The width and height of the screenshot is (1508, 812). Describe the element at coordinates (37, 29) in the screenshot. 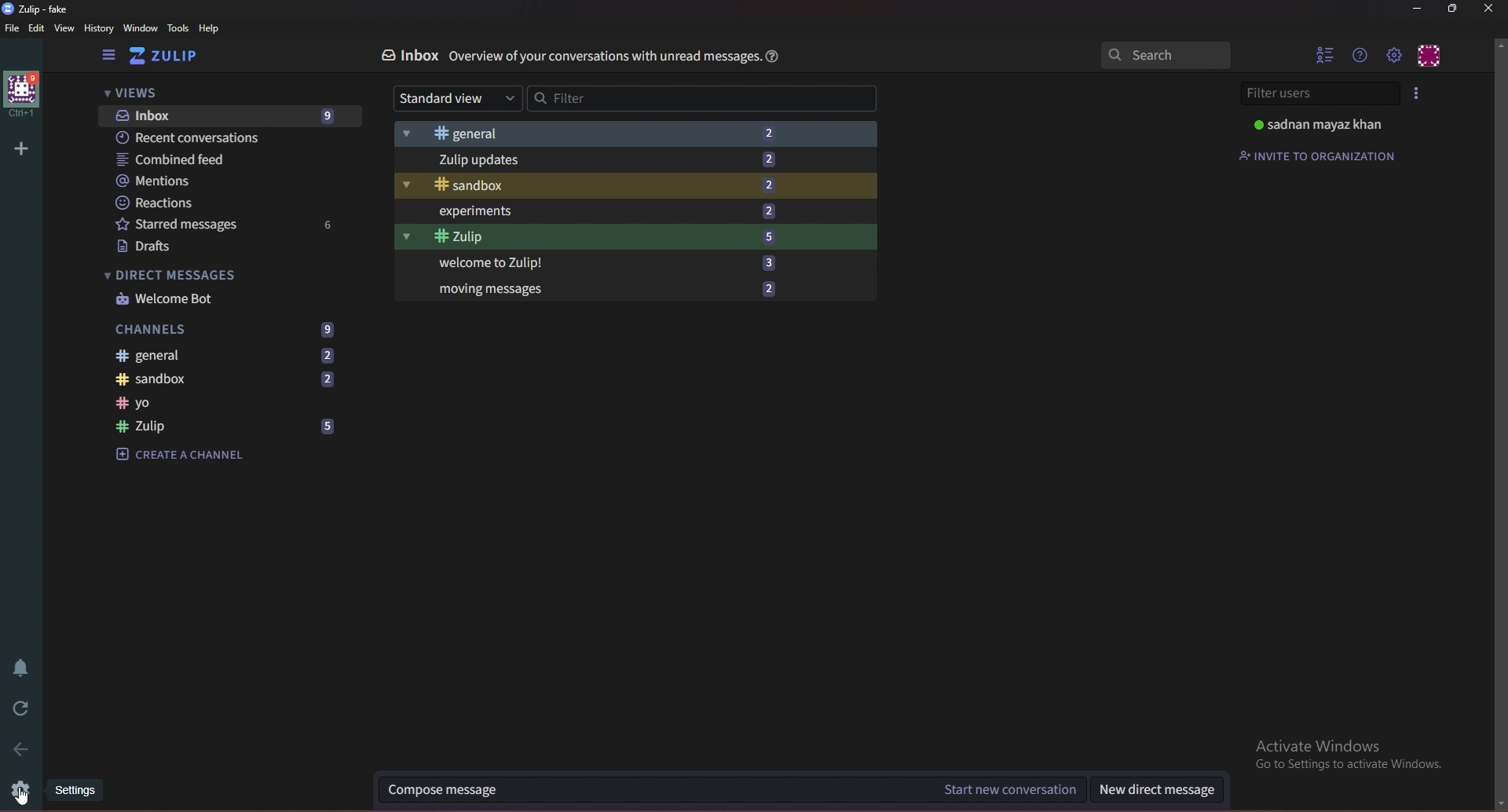

I see `Edit` at that location.